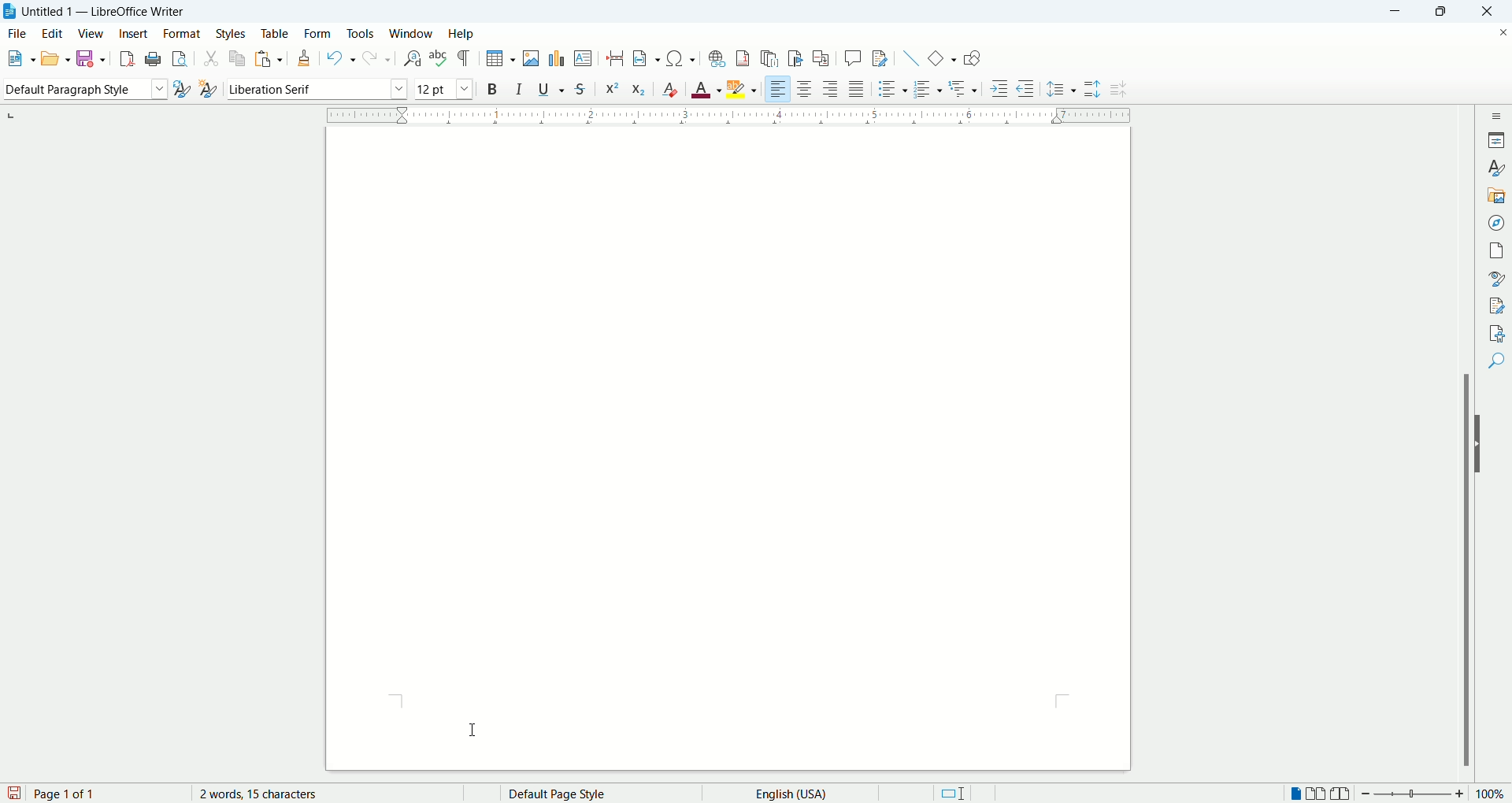  Describe the element at coordinates (14, 792) in the screenshot. I see `save` at that location.